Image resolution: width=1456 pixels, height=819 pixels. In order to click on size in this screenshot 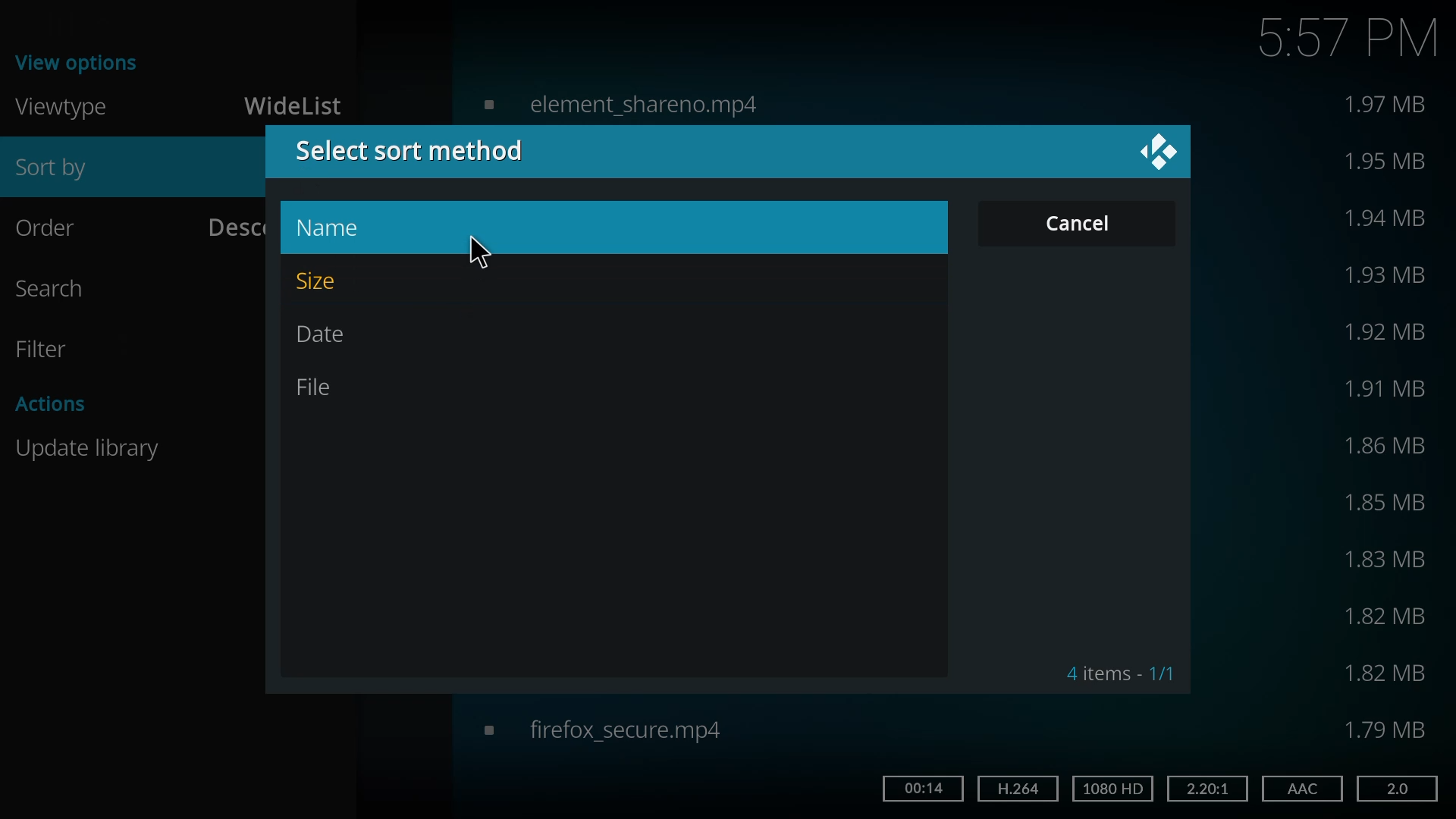, I will do `click(1384, 329)`.